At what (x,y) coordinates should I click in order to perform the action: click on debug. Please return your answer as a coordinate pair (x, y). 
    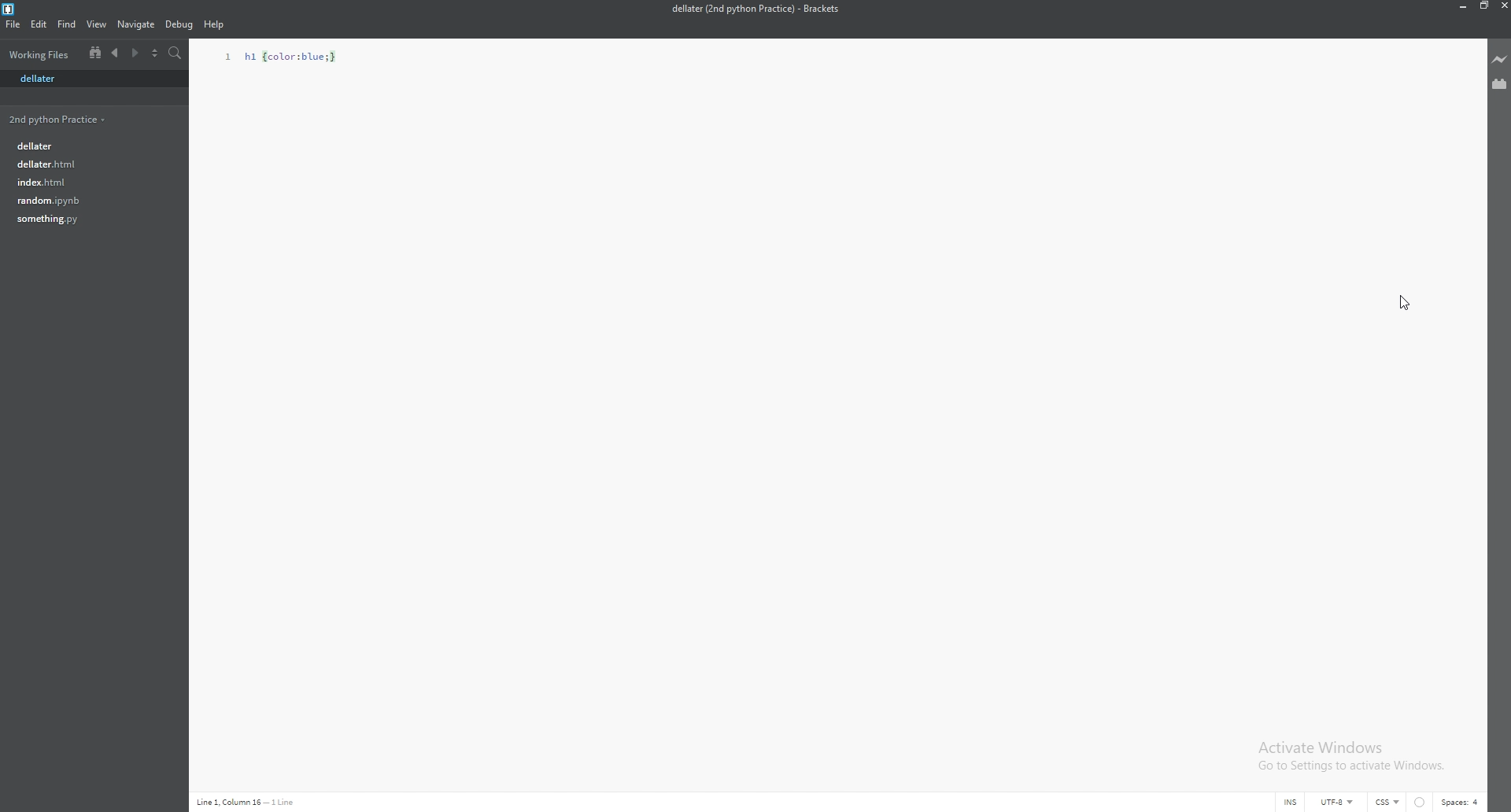
    Looking at the image, I should click on (179, 25).